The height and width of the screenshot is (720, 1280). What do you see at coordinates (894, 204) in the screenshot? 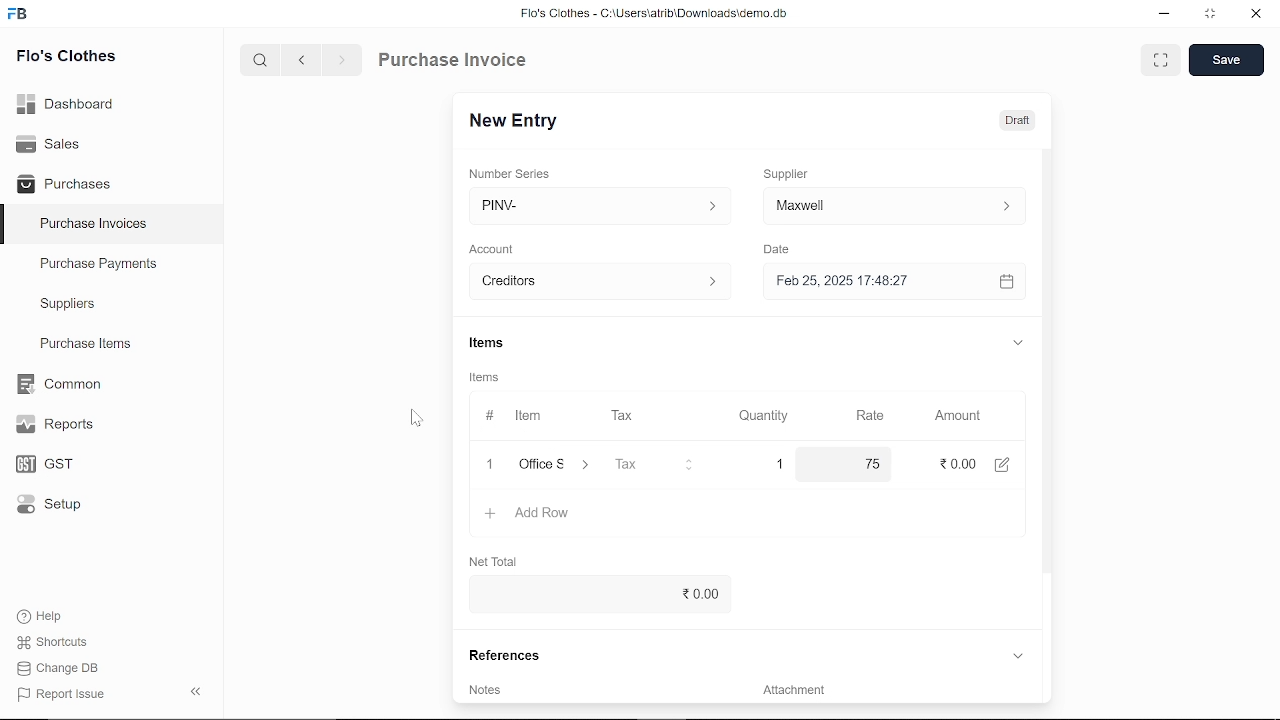
I see `input ‘Supplier` at bounding box center [894, 204].